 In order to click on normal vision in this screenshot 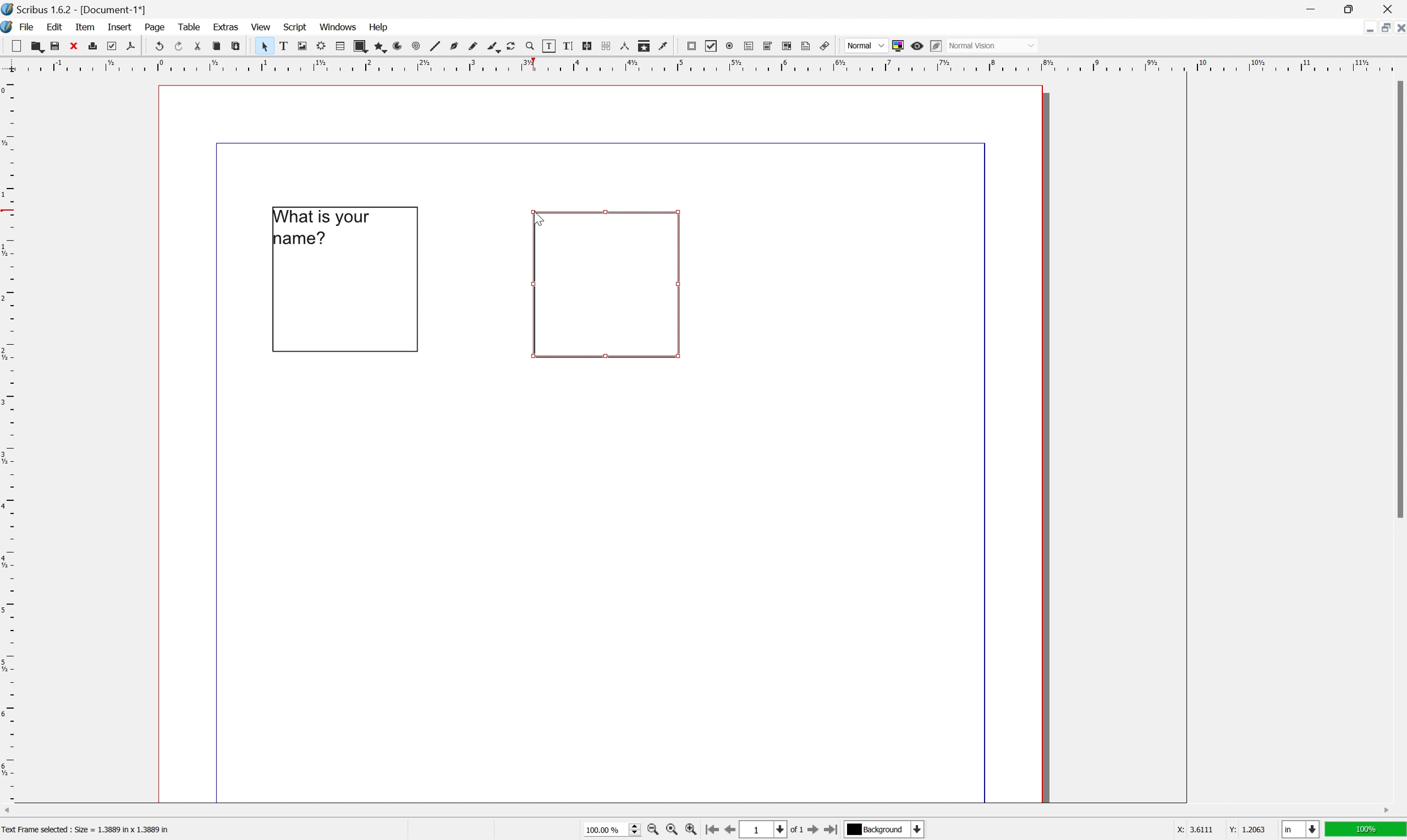, I will do `click(993, 45)`.